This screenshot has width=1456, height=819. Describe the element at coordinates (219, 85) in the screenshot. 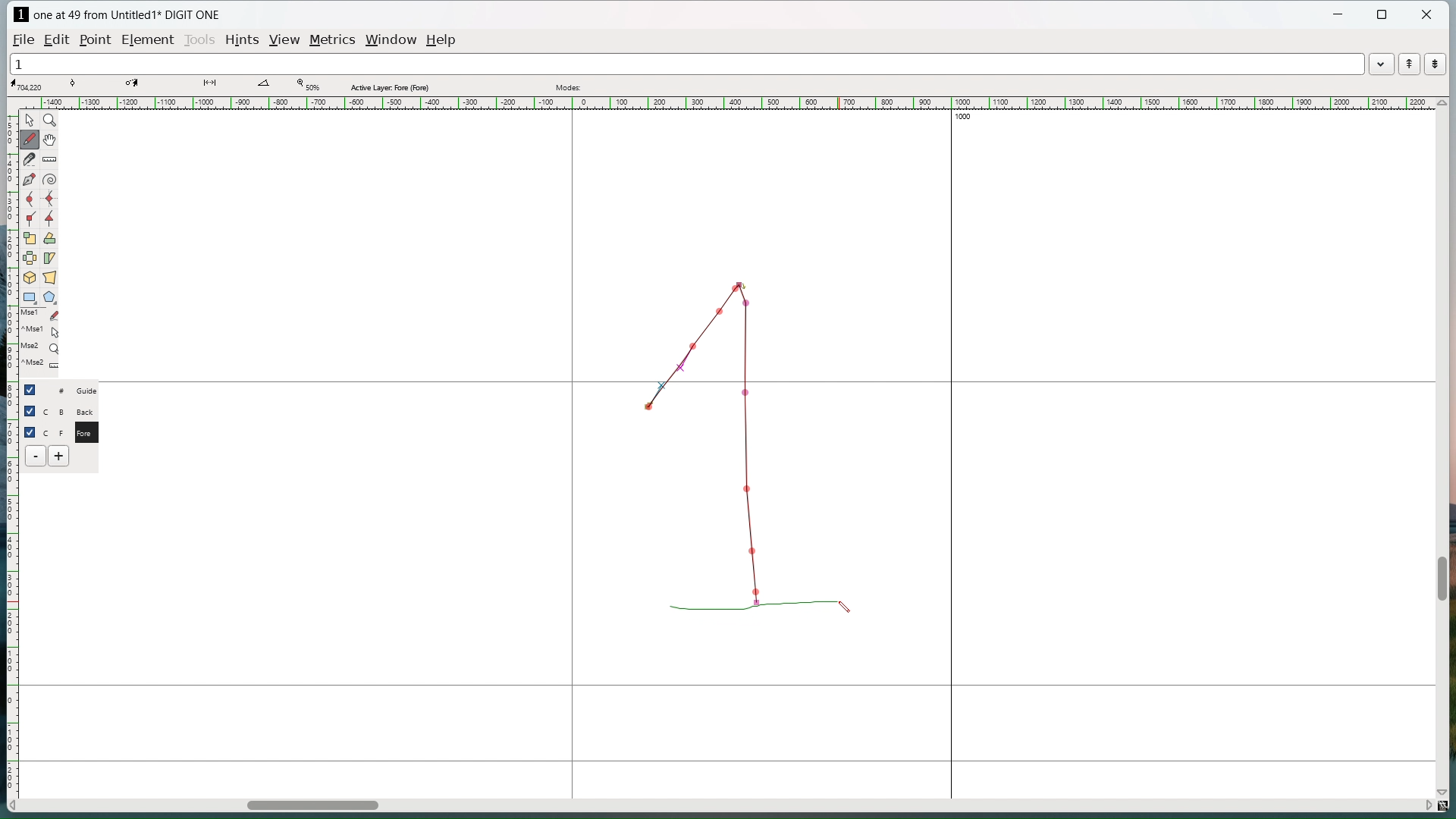

I see `distance between points` at that location.